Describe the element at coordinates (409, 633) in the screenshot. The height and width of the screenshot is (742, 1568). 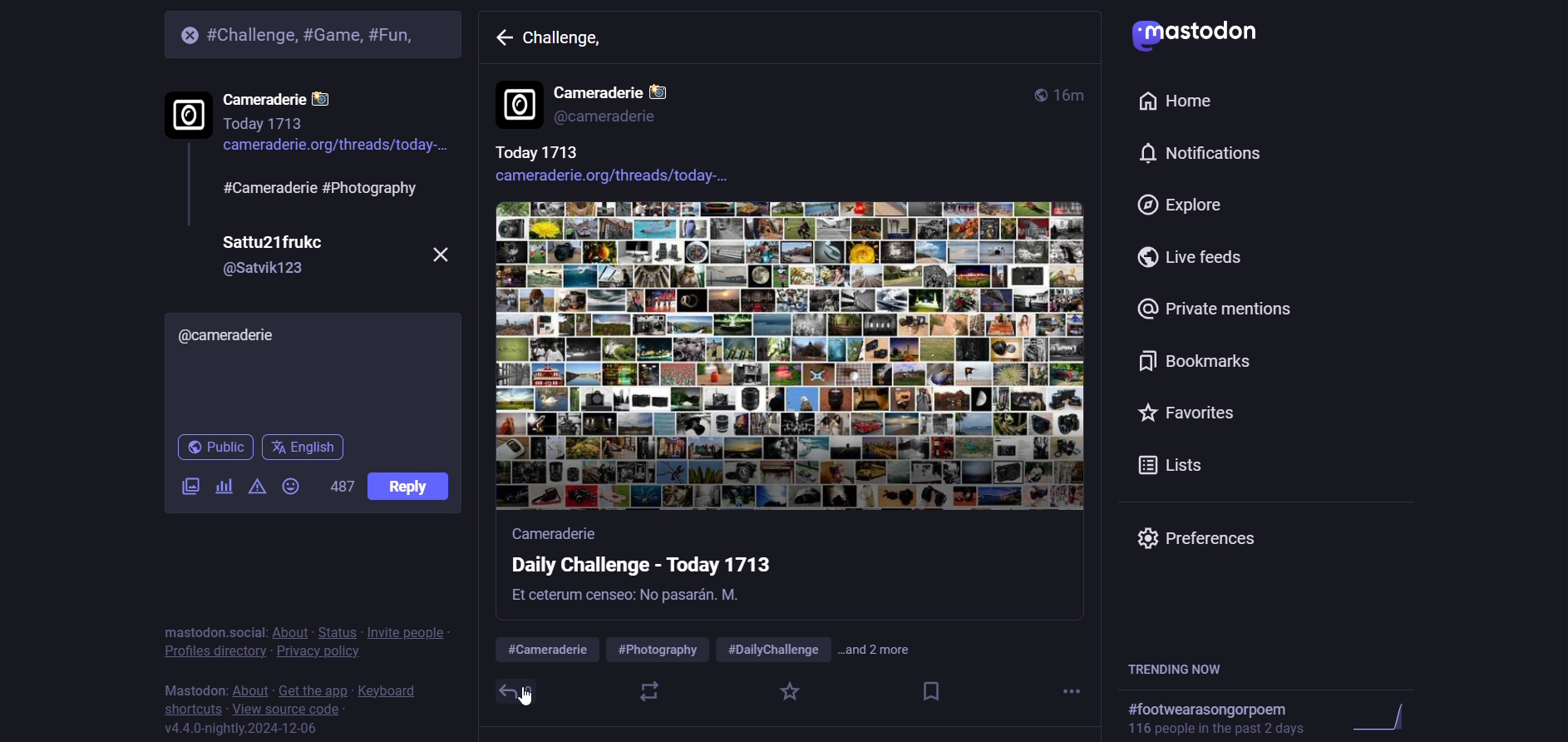
I see `invite people` at that location.